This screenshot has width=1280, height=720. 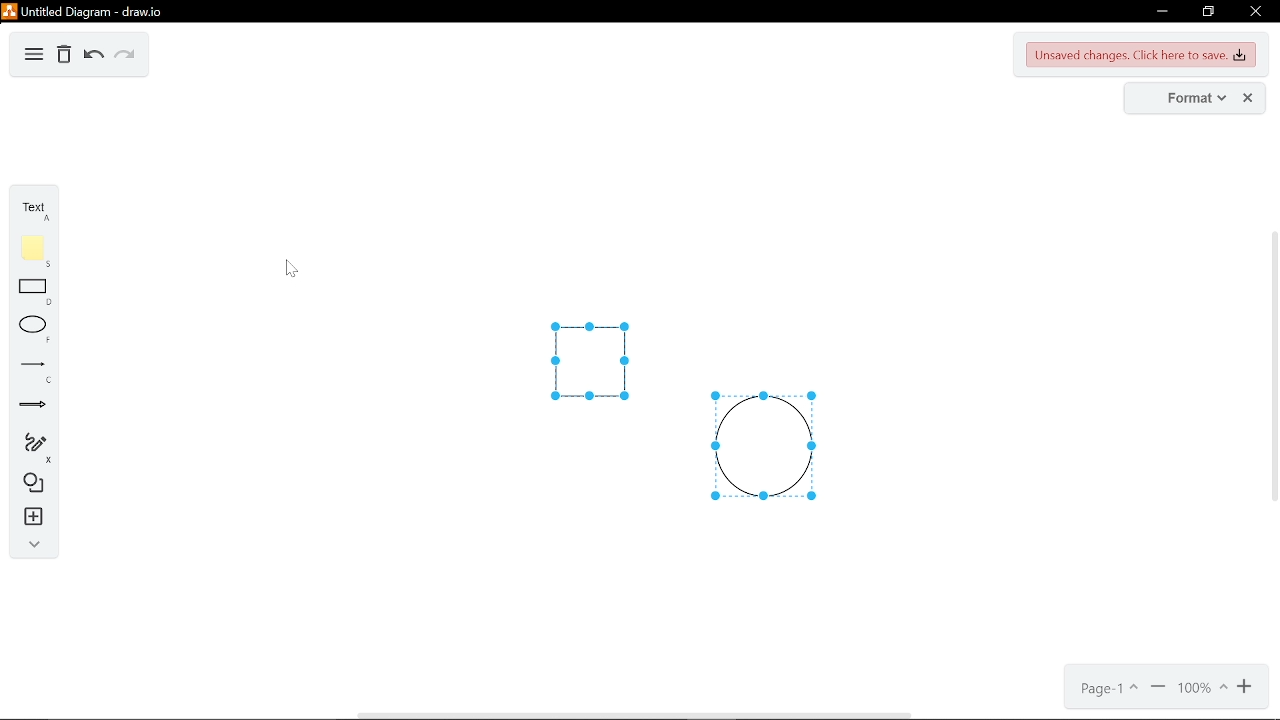 I want to click on unsaved changes. Click here to save, so click(x=1139, y=56).